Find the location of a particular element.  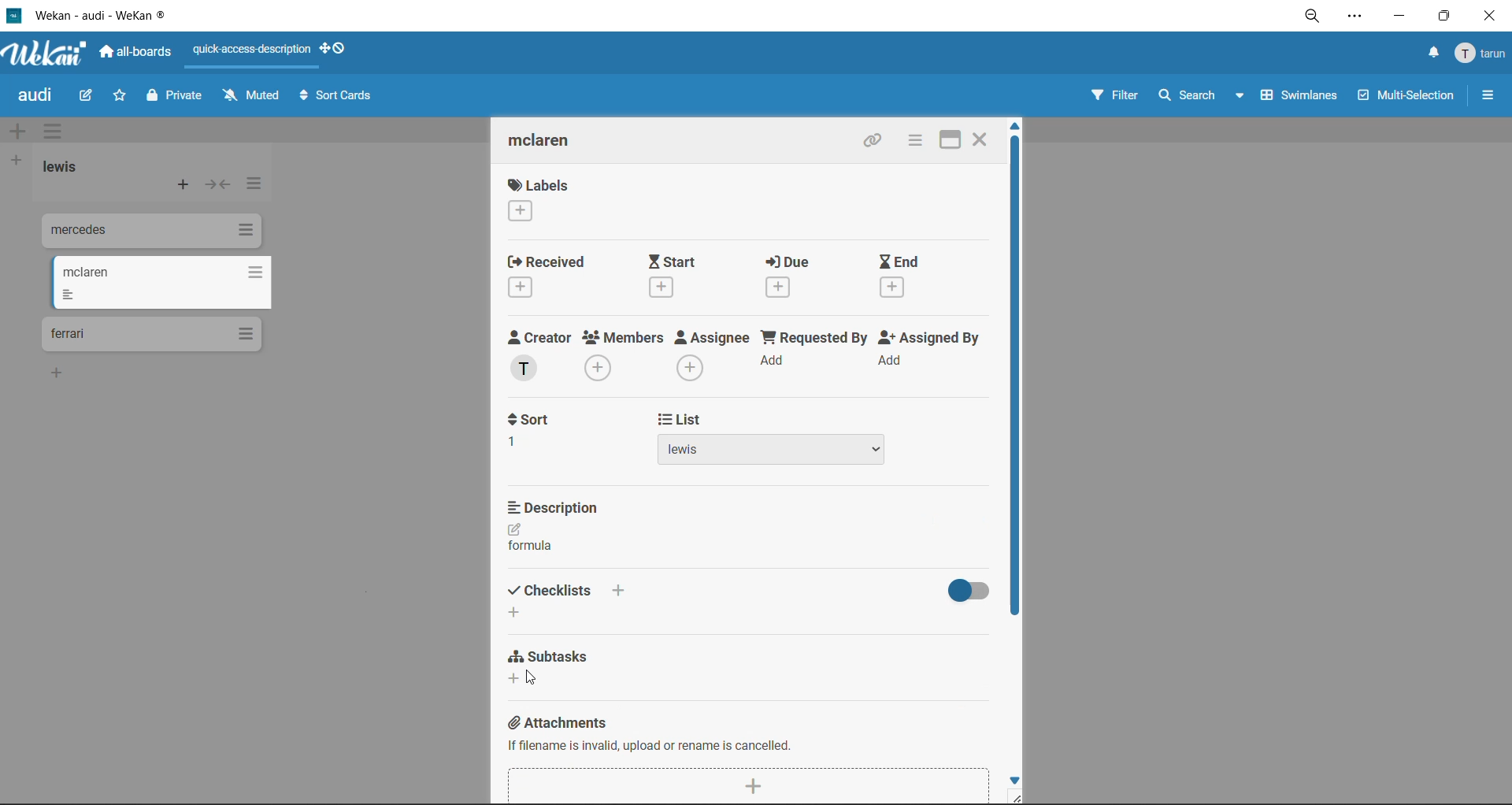

board title is located at coordinates (39, 95).